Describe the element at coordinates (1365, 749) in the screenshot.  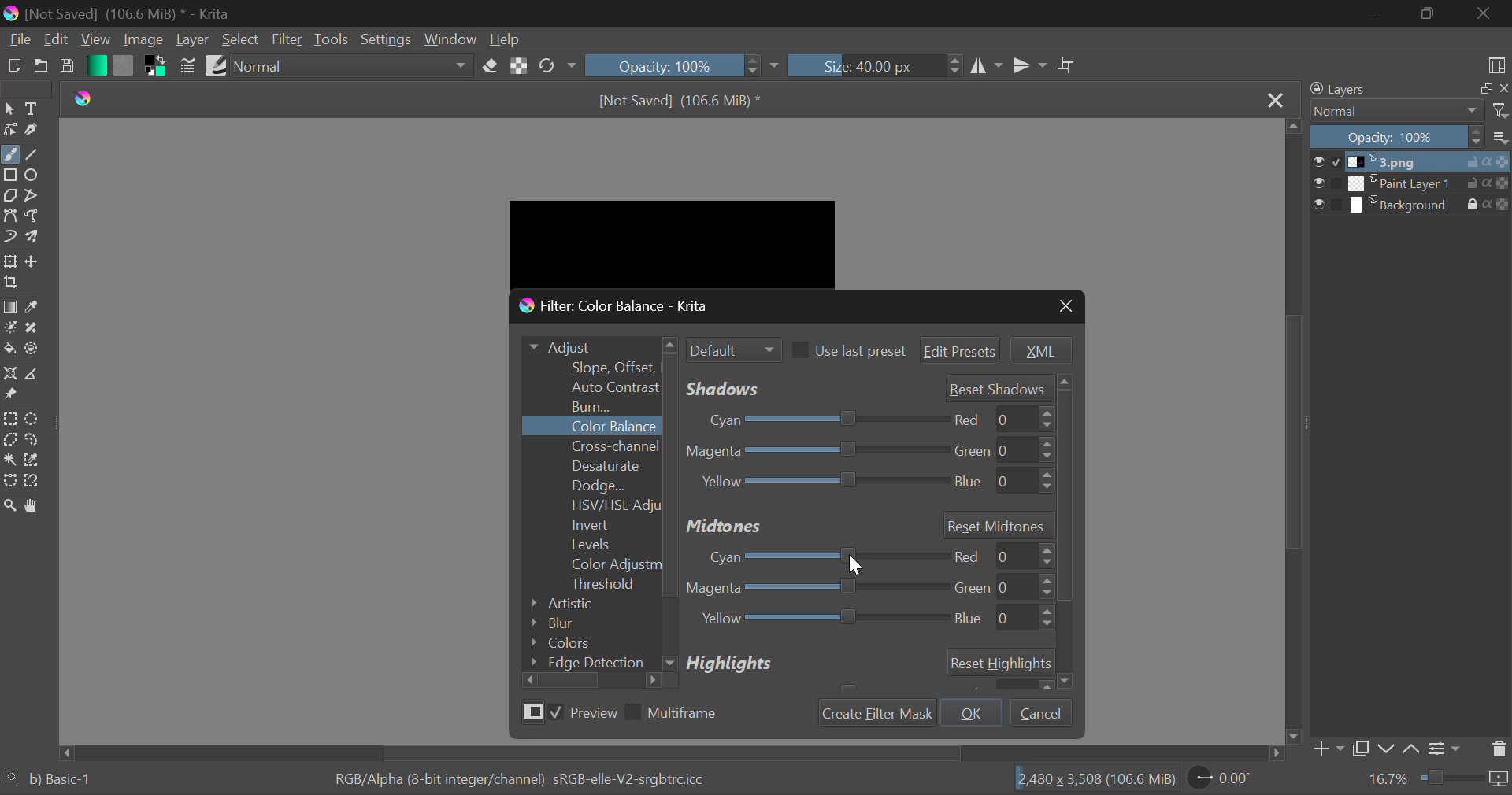
I see `Copy Layer` at that location.